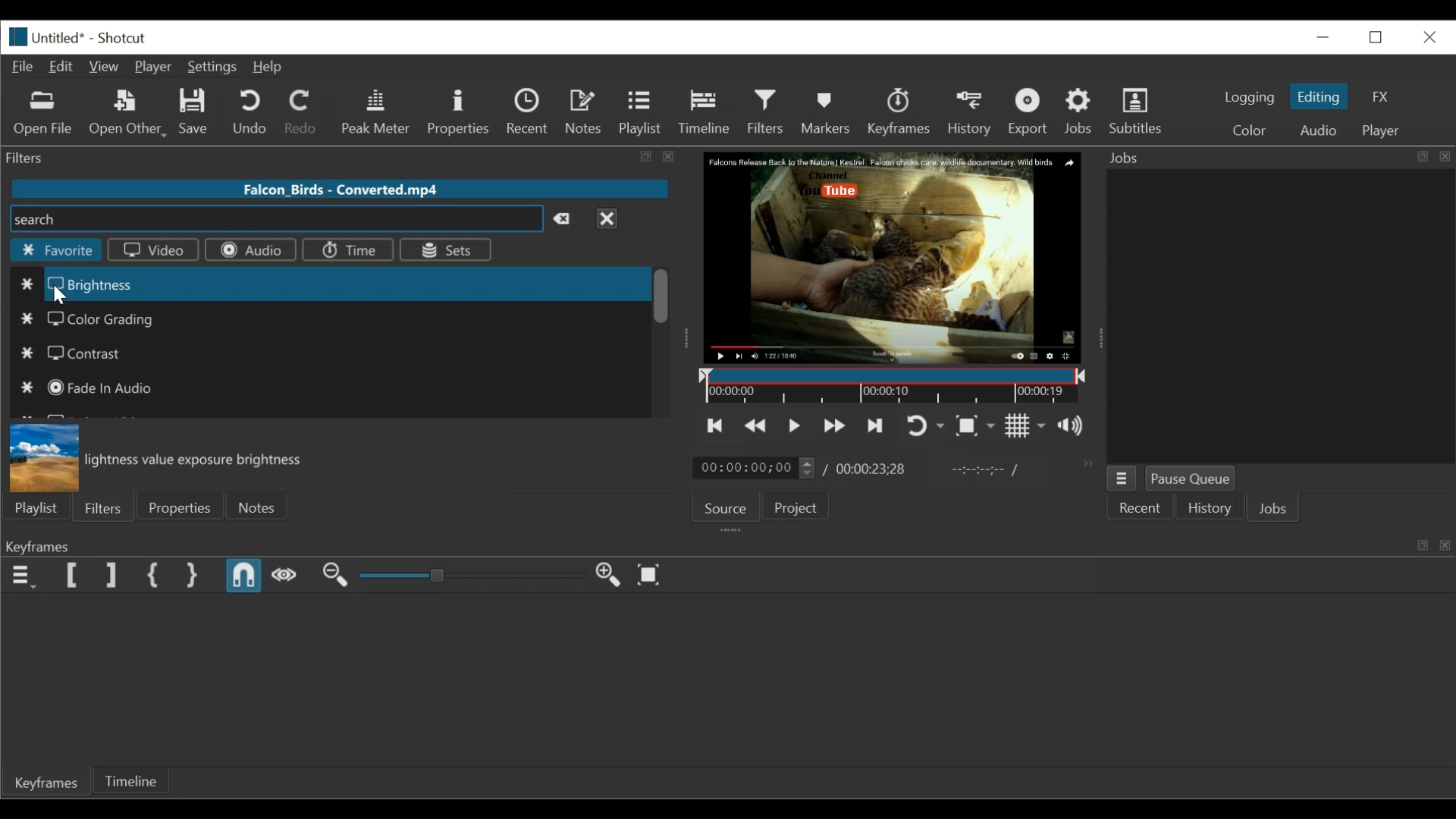 The width and height of the screenshot is (1456, 819). What do you see at coordinates (795, 507) in the screenshot?
I see `Project` at bounding box center [795, 507].